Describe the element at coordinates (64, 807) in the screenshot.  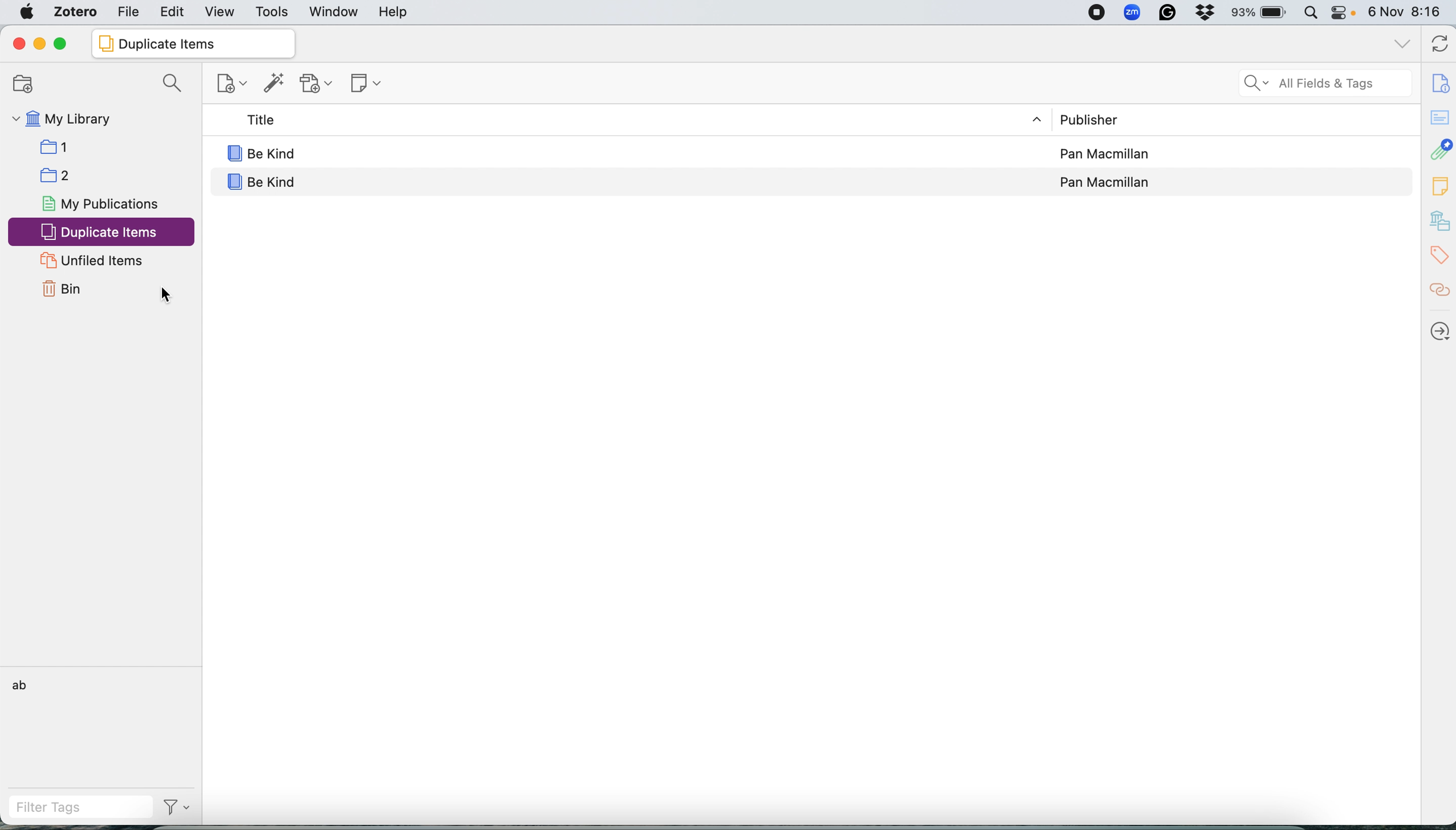
I see `filter tags` at that location.